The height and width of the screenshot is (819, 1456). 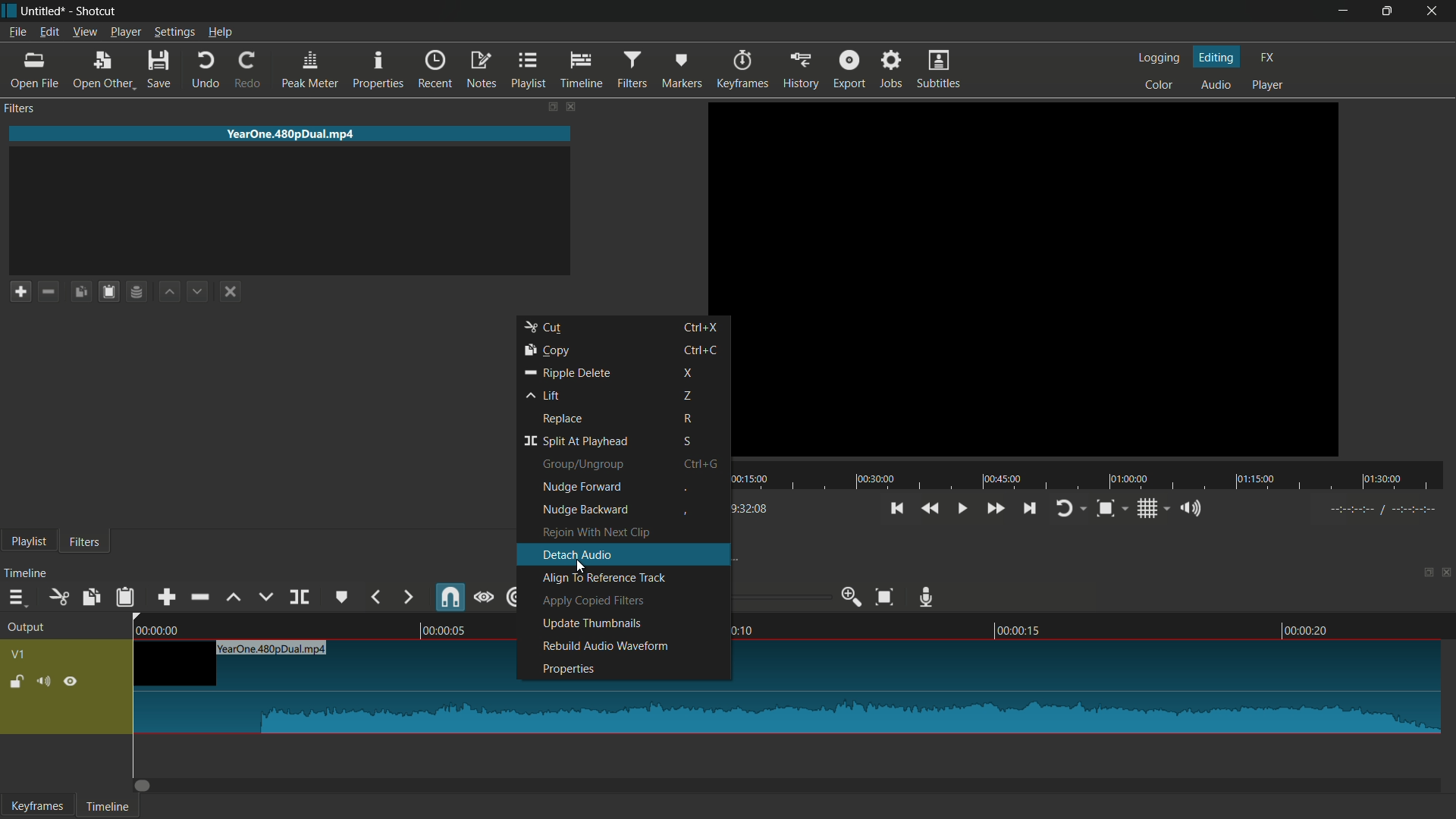 What do you see at coordinates (594, 602) in the screenshot?
I see `apply copied filters` at bounding box center [594, 602].